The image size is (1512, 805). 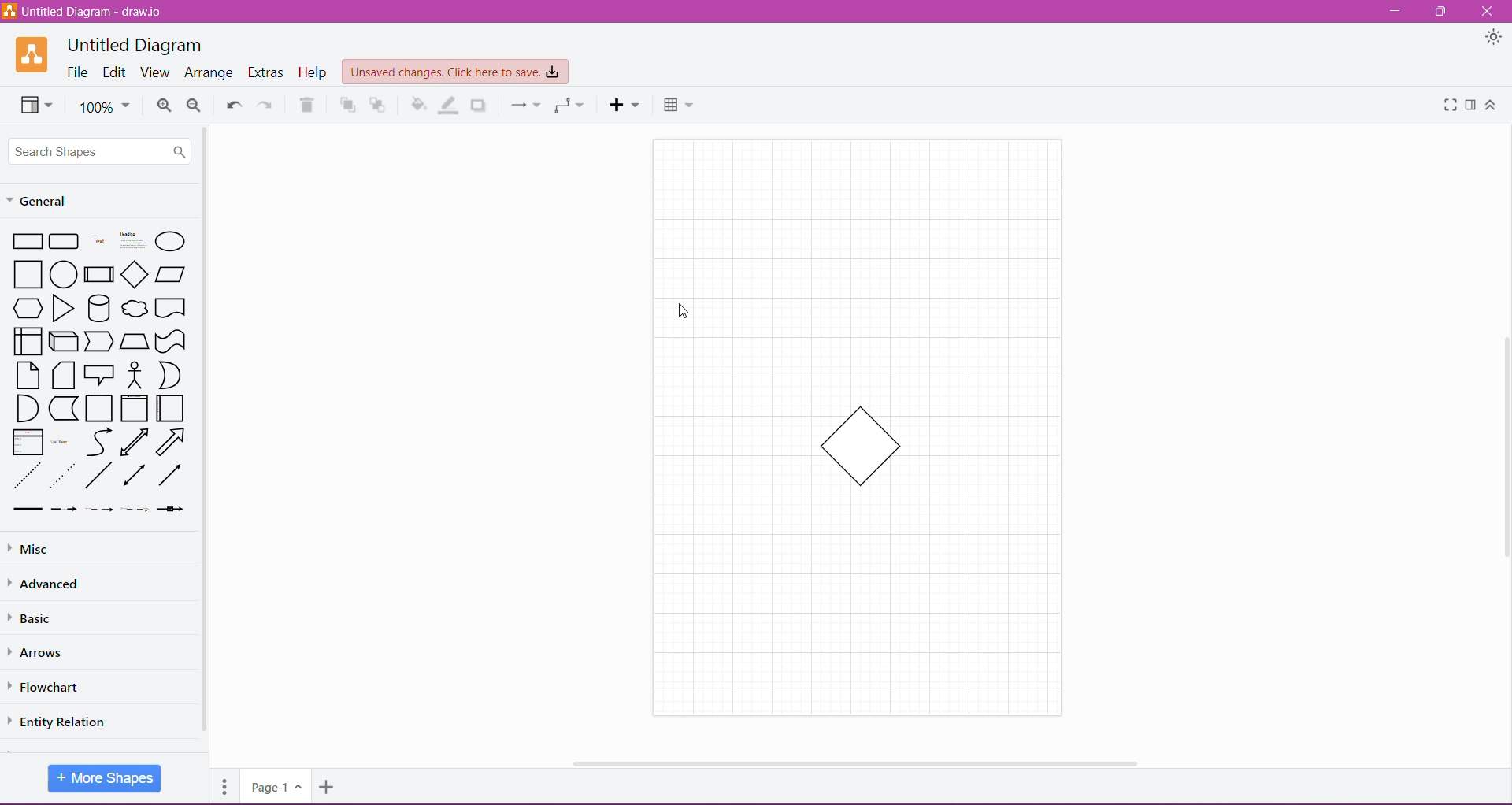 I want to click on Insert , so click(x=624, y=106).